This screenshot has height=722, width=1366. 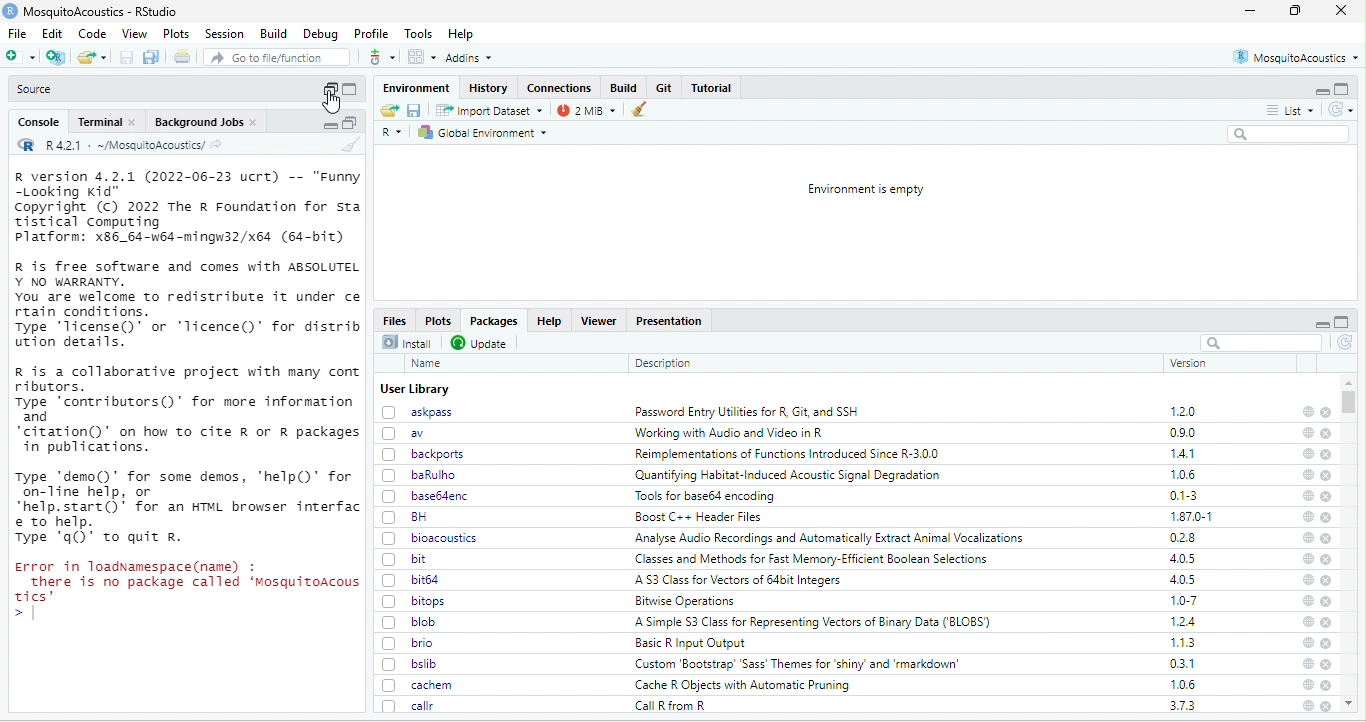 What do you see at coordinates (1327, 644) in the screenshot?
I see `close` at bounding box center [1327, 644].